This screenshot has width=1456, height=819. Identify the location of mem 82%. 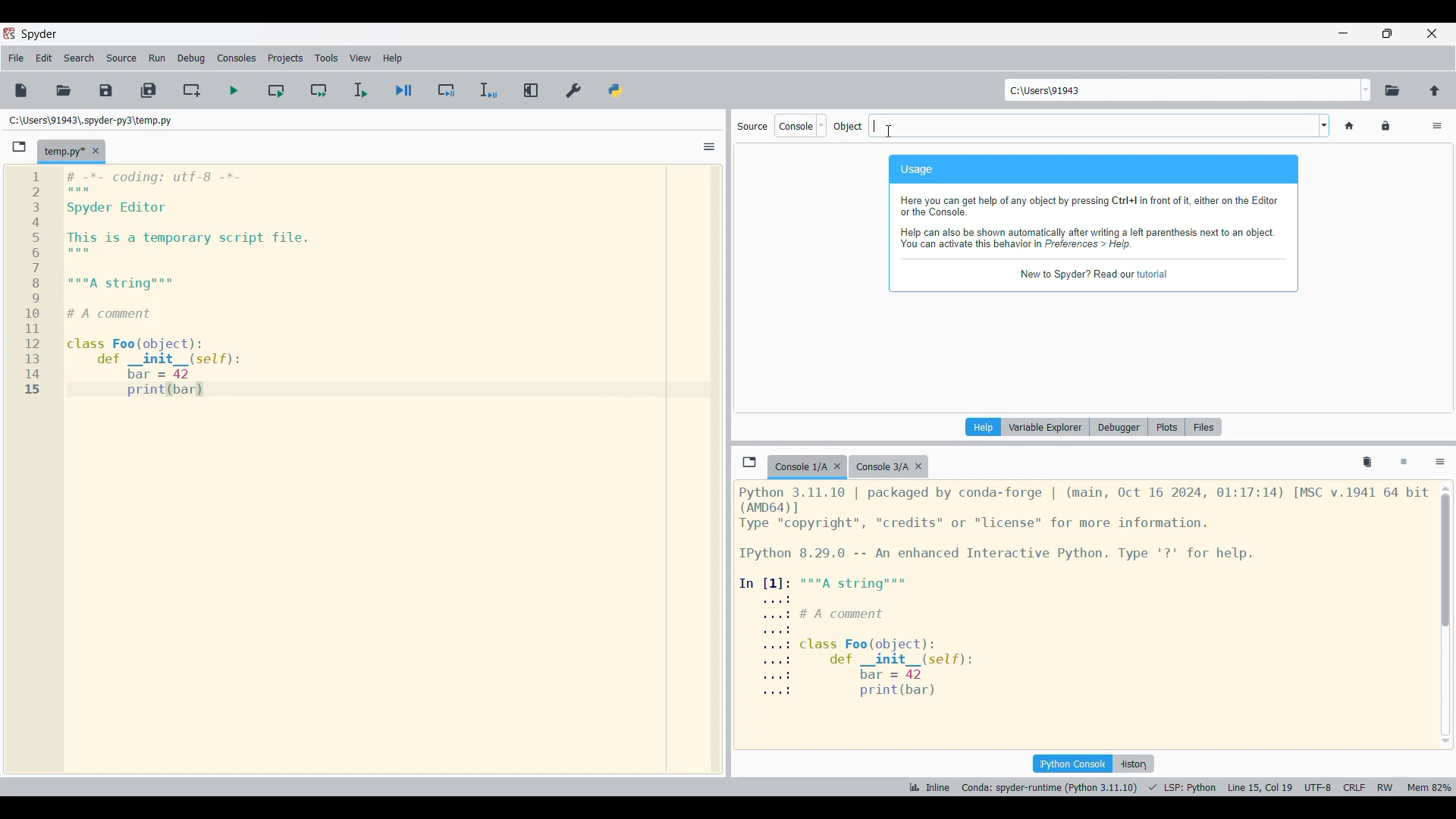
(1432, 785).